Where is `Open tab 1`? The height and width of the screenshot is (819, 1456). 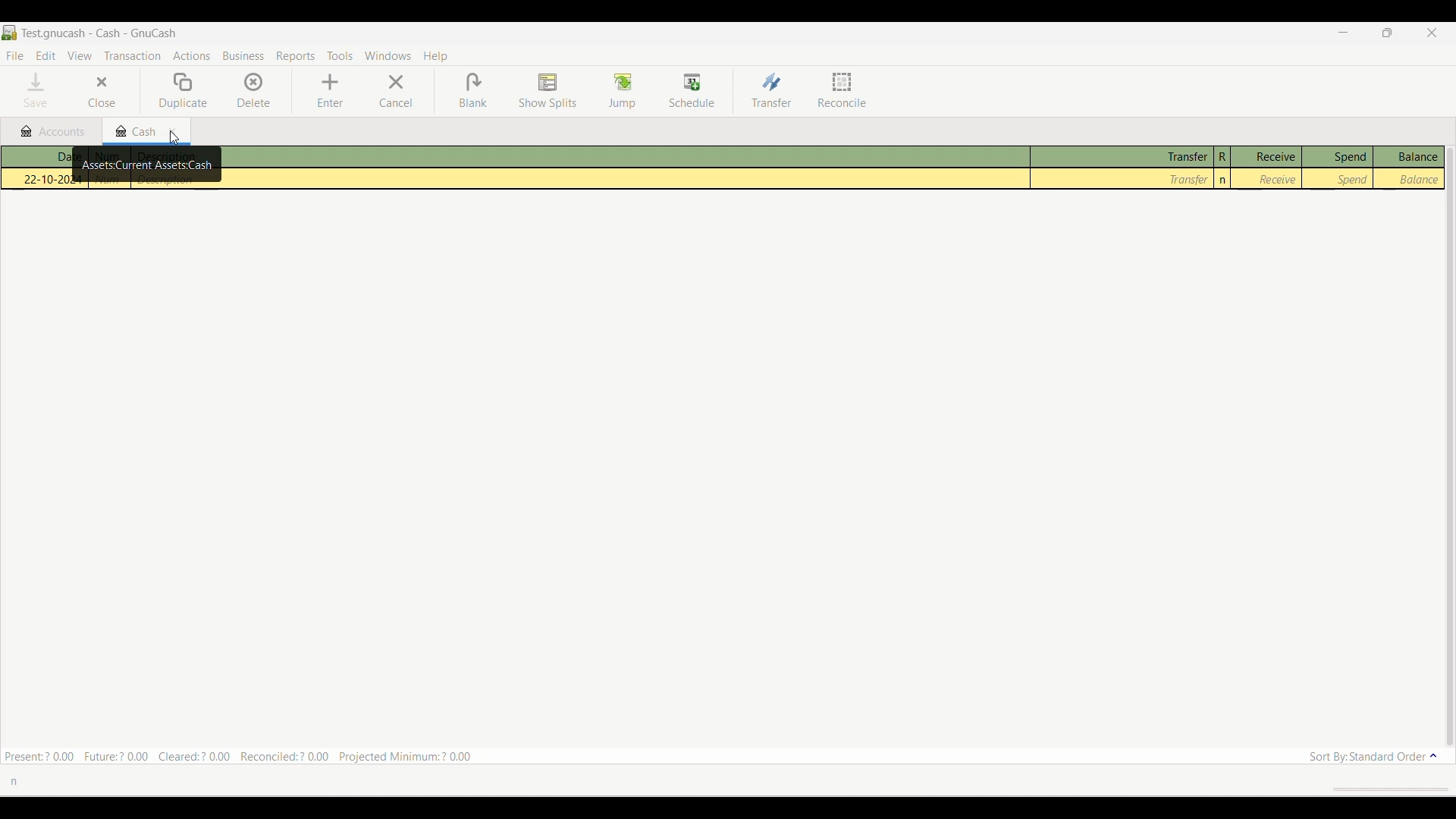
Open tab 1 is located at coordinates (51, 131).